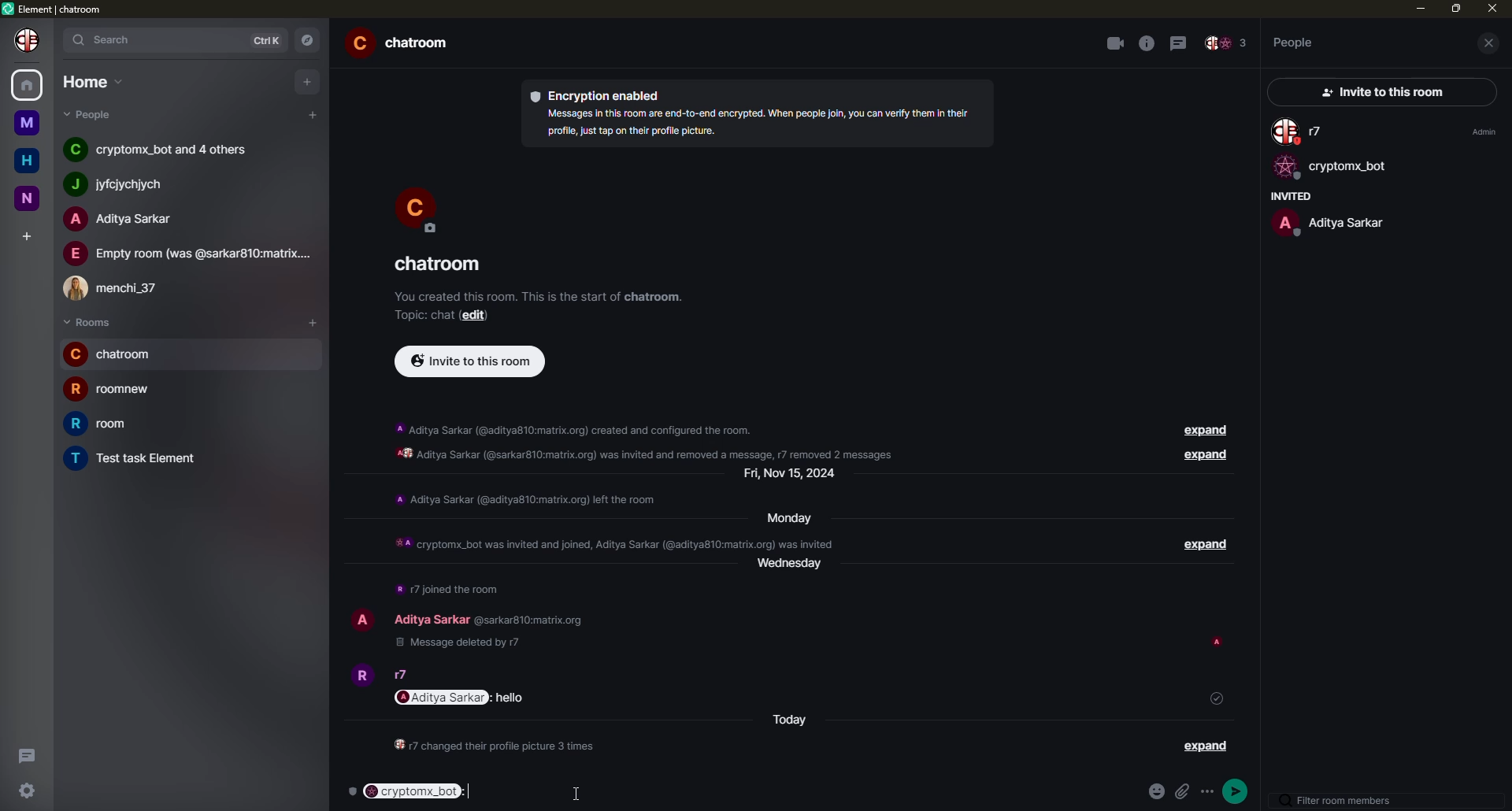  Describe the element at coordinates (1492, 9) in the screenshot. I see `close` at that location.